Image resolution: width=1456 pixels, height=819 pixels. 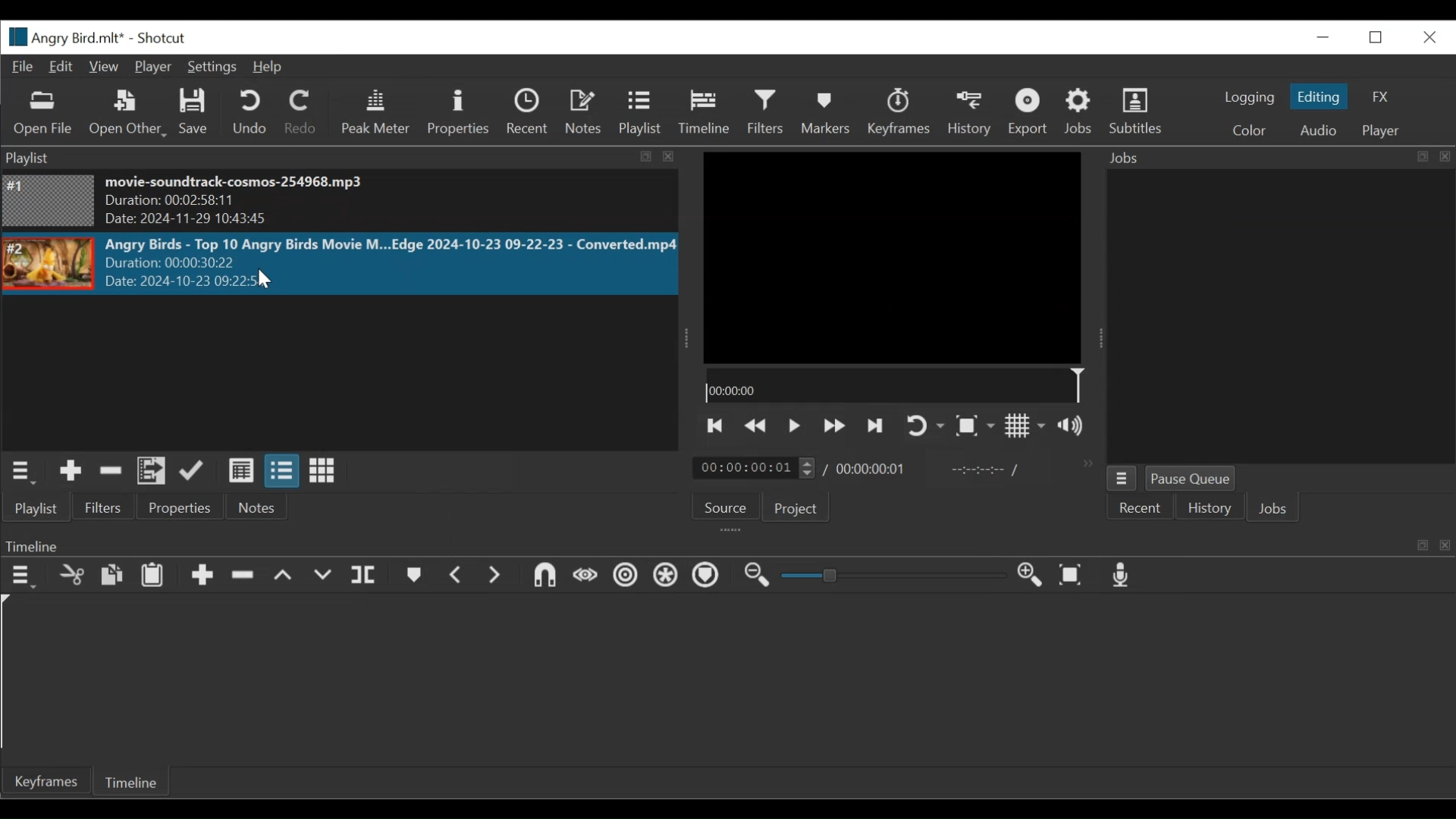 I want to click on Close, so click(x=1429, y=35).